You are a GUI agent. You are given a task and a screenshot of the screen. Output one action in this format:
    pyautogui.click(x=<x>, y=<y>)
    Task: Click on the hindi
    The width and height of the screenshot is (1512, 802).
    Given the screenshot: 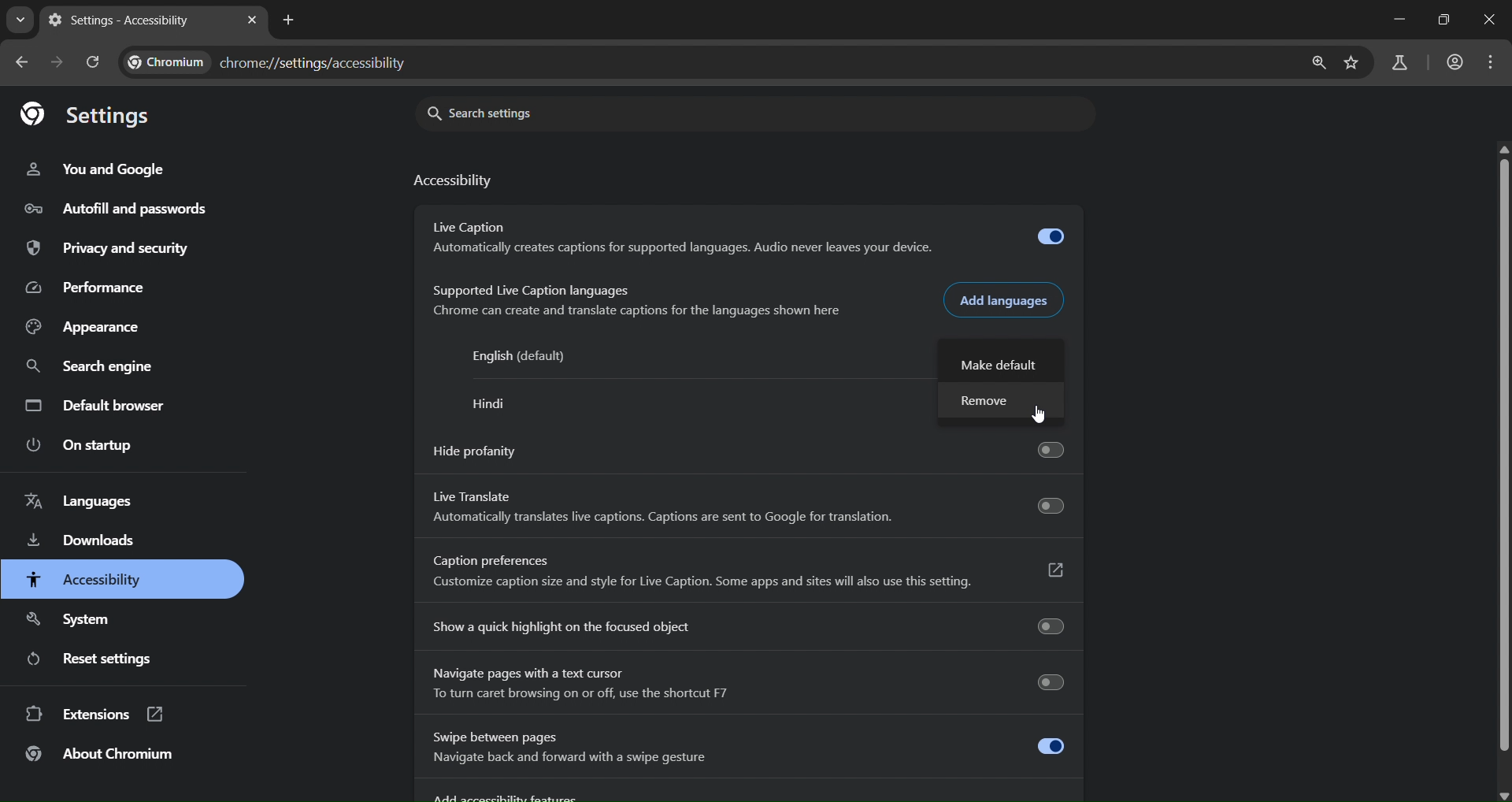 What is the action you would take?
    pyautogui.click(x=513, y=406)
    